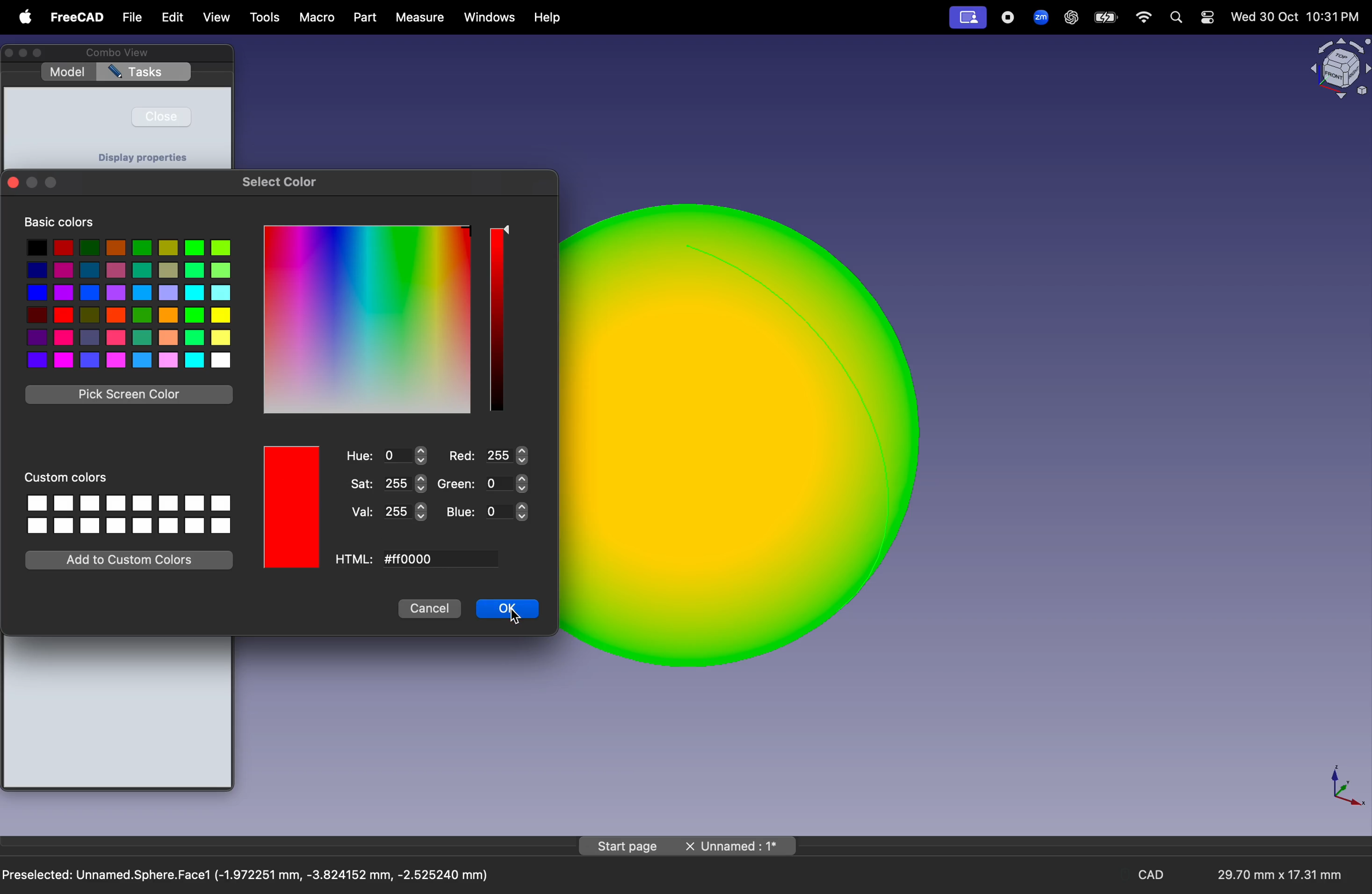  Describe the element at coordinates (133, 18) in the screenshot. I see `file` at that location.